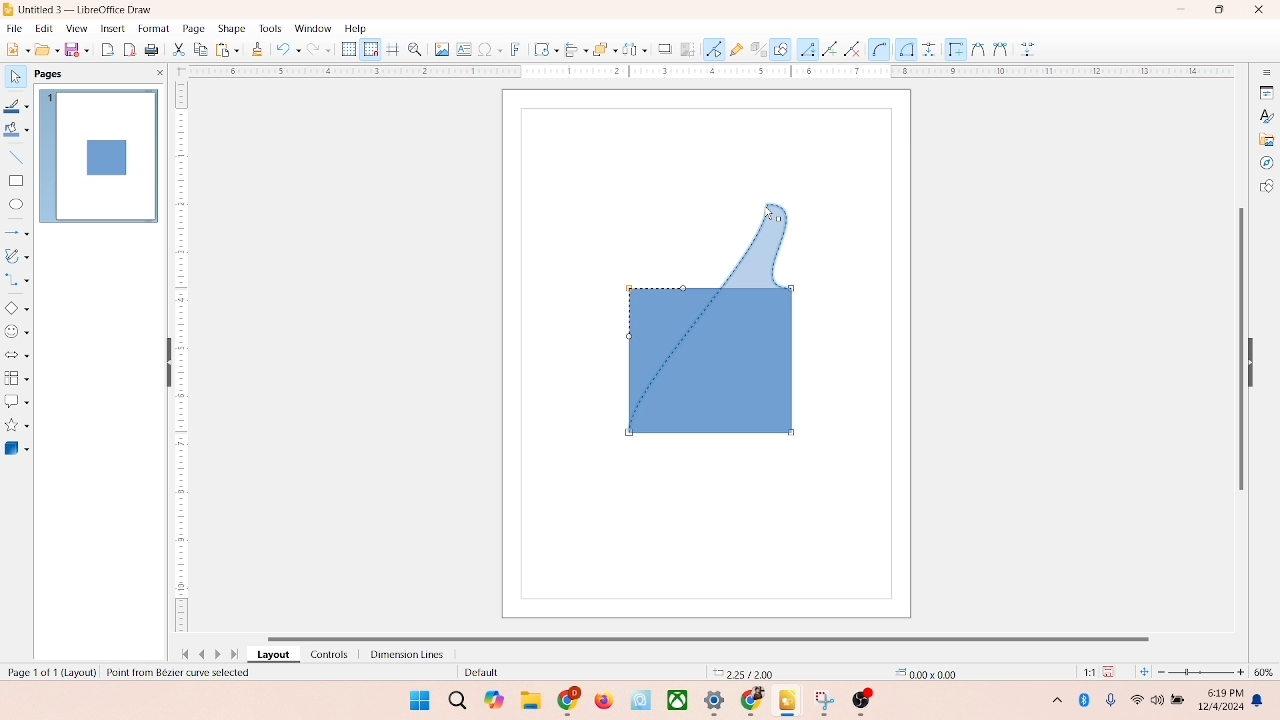  Describe the element at coordinates (17, 106) in the screenshot. I see `line color` at that location.